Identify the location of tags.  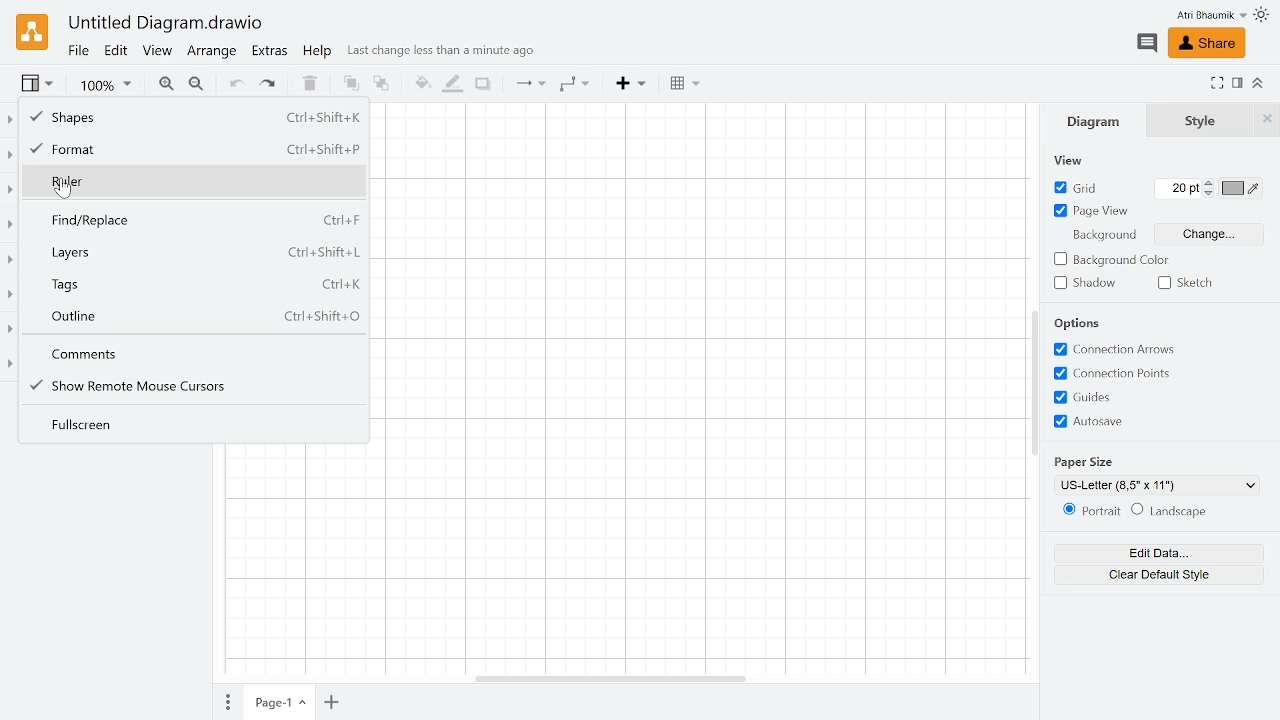
(186, 283).